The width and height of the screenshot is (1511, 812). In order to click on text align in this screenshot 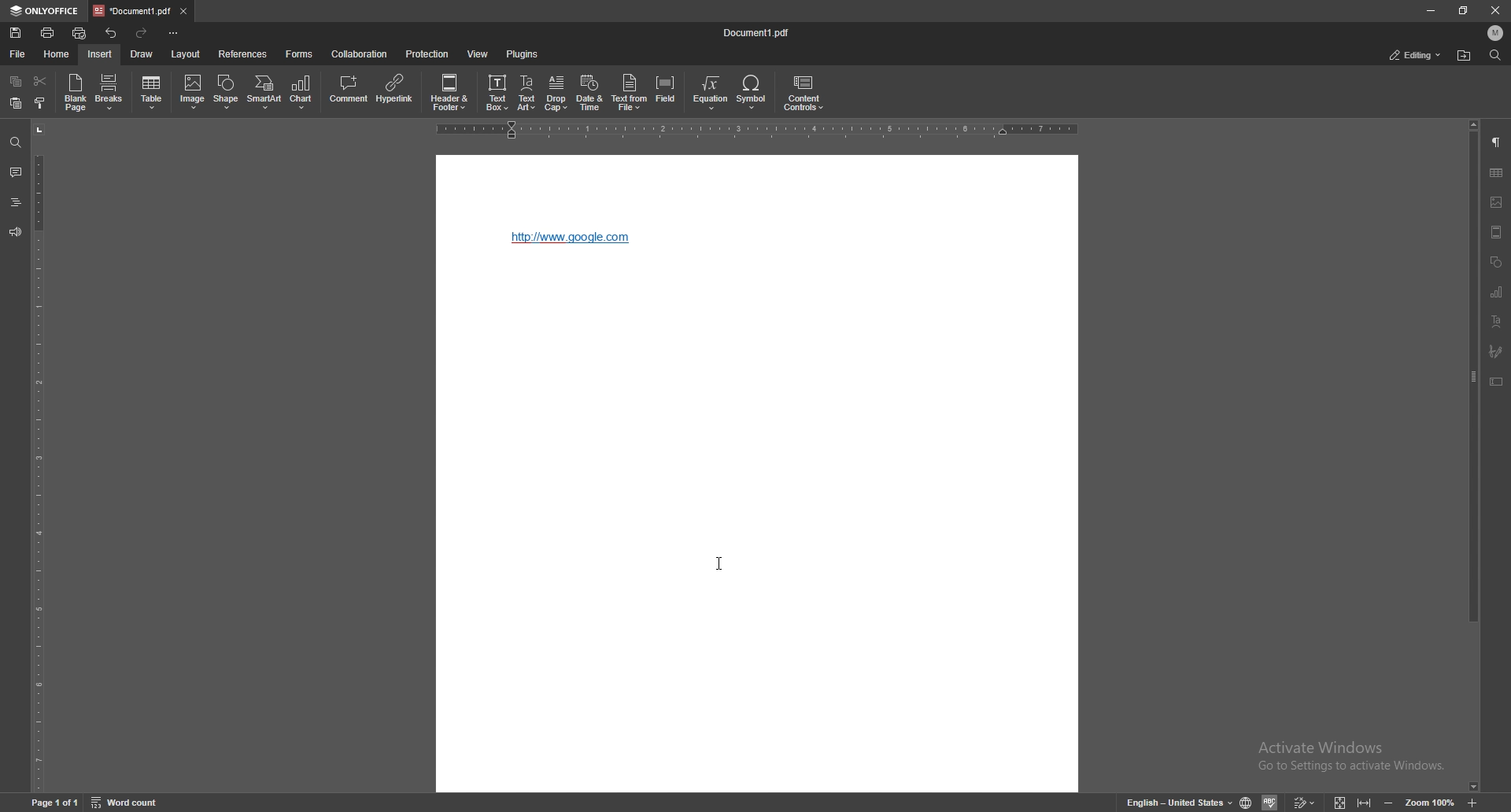, I will do `click(1498, 321)`.